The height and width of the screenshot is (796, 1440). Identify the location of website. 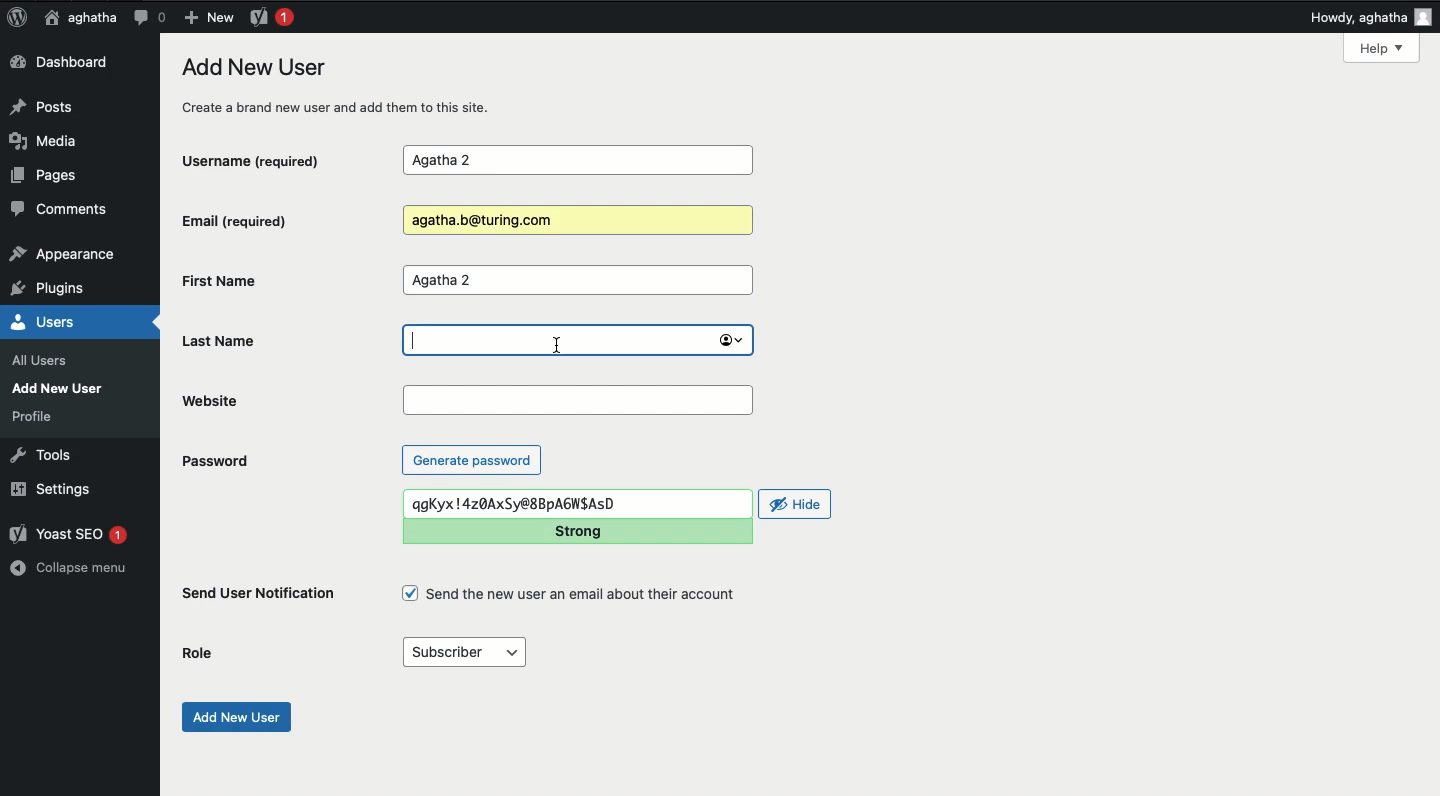
(580, 401).